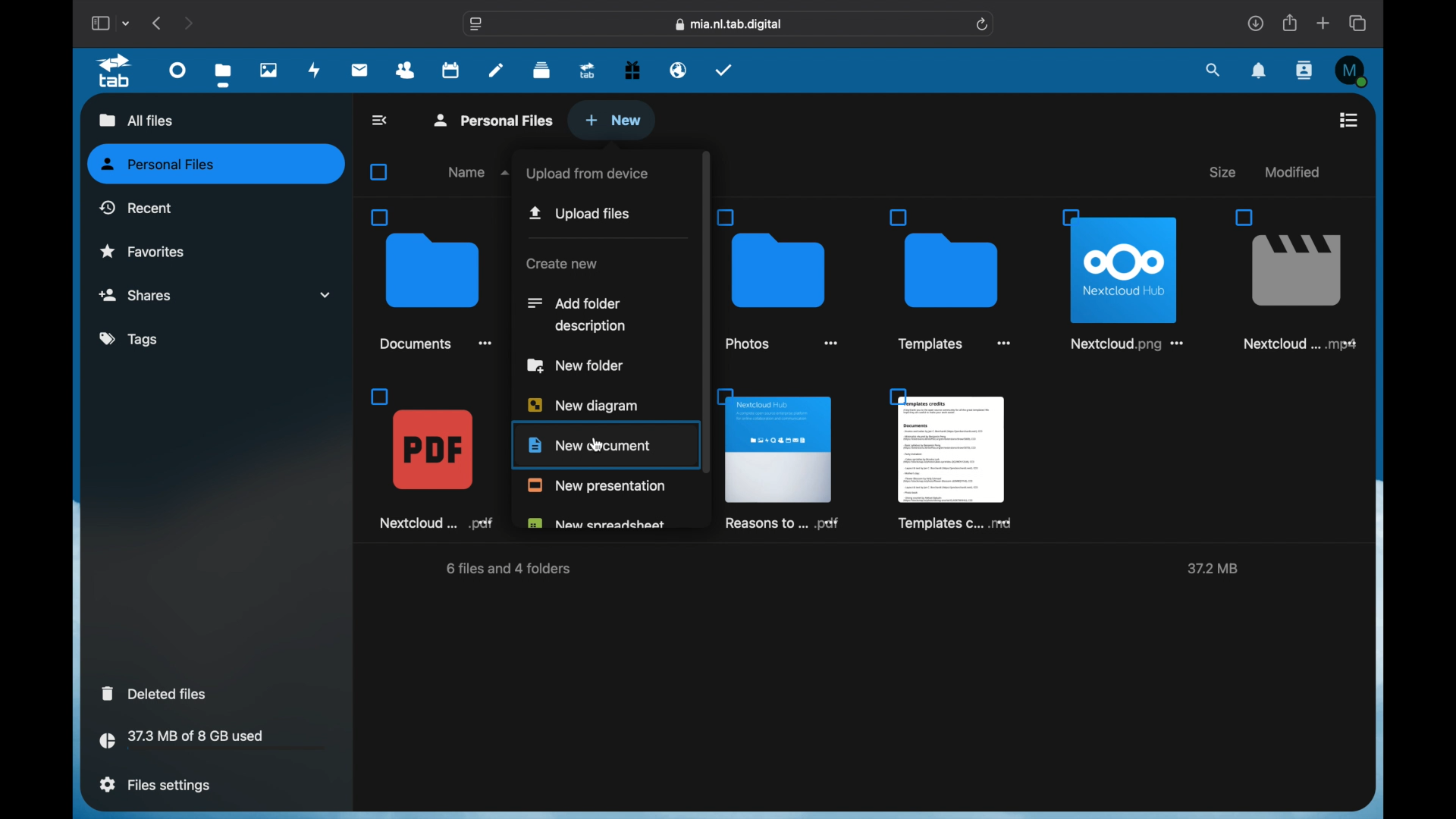  What do you see at coordinates (315, 71) in the screenshot?
I see `activity` at bounding box center [315, 71].